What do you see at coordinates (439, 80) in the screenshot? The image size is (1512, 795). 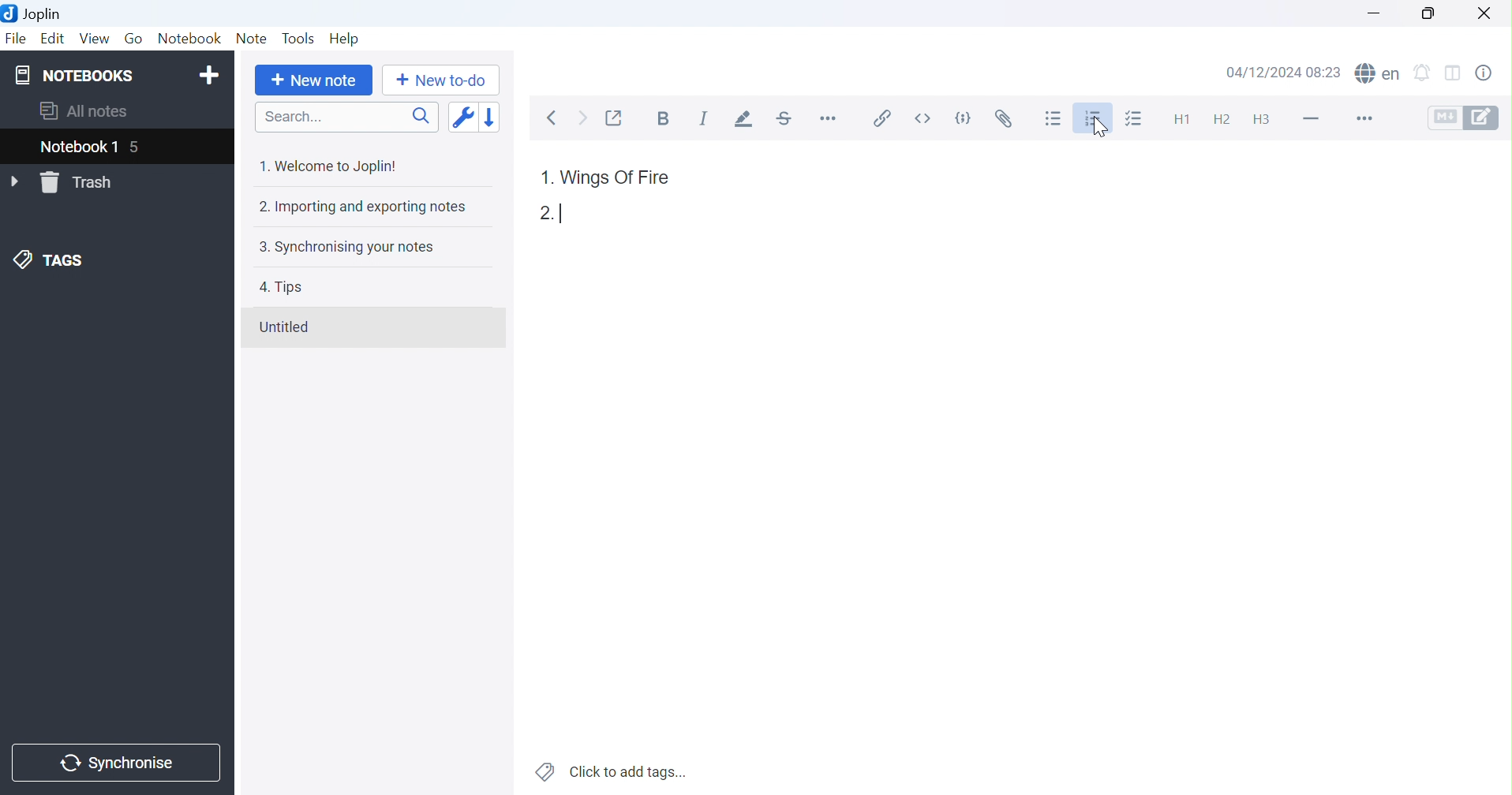 I see `New to-do` at bounding box center [439, 80].